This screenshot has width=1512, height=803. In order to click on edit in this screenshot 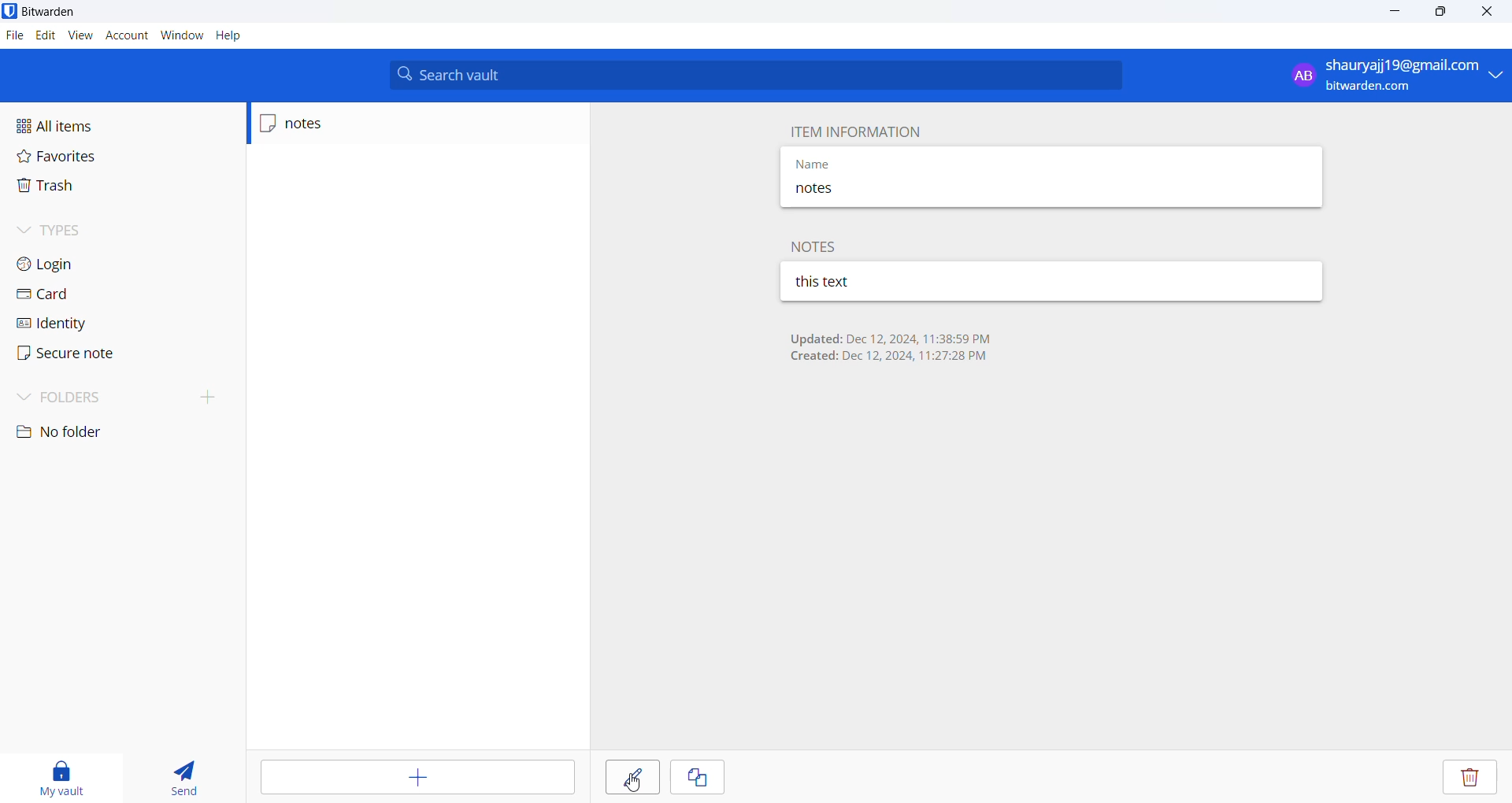, I will do `click(45, 36)`.